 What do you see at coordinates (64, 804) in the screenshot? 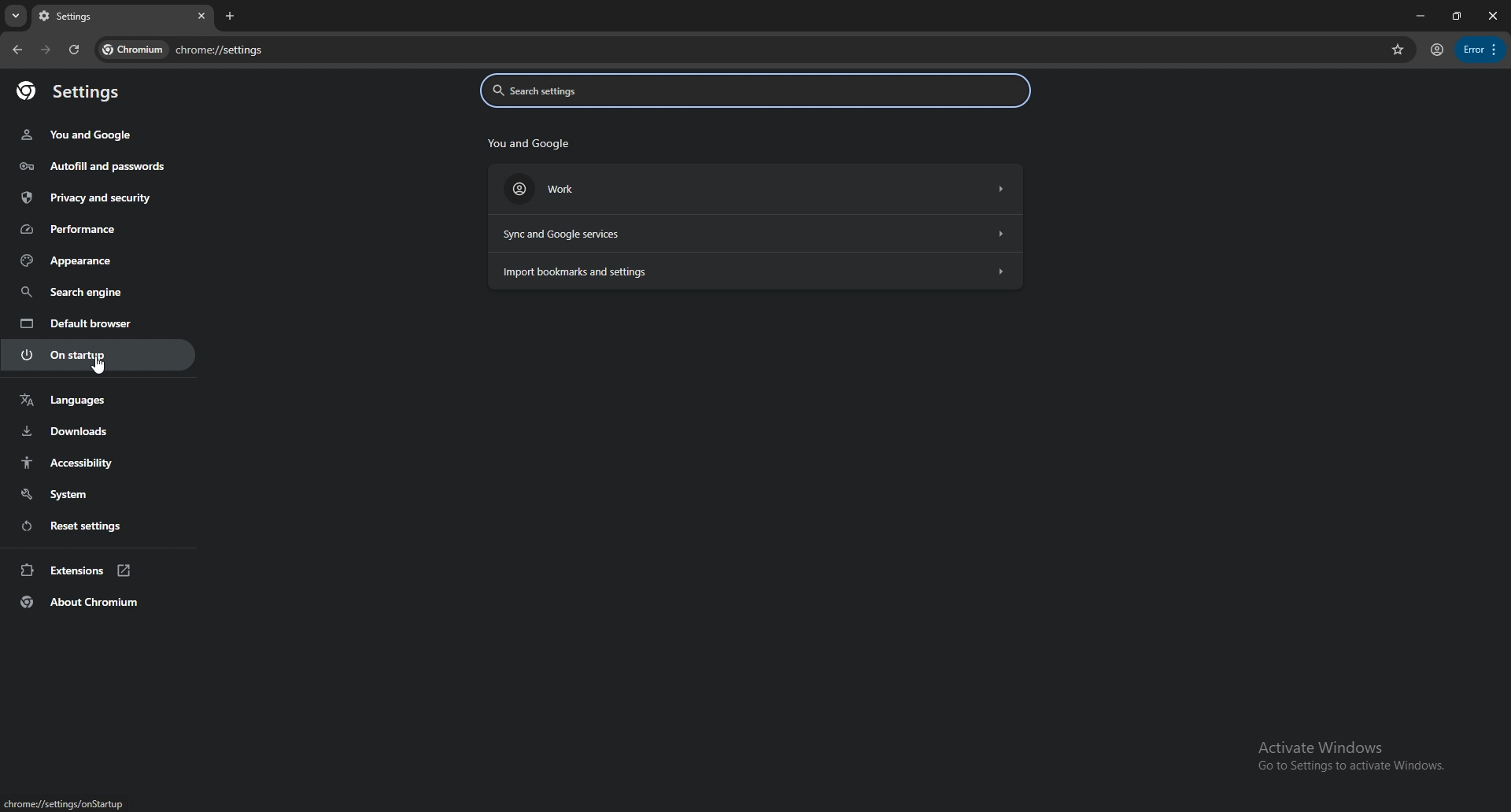
I see `link` at bounding box center [64, 804].